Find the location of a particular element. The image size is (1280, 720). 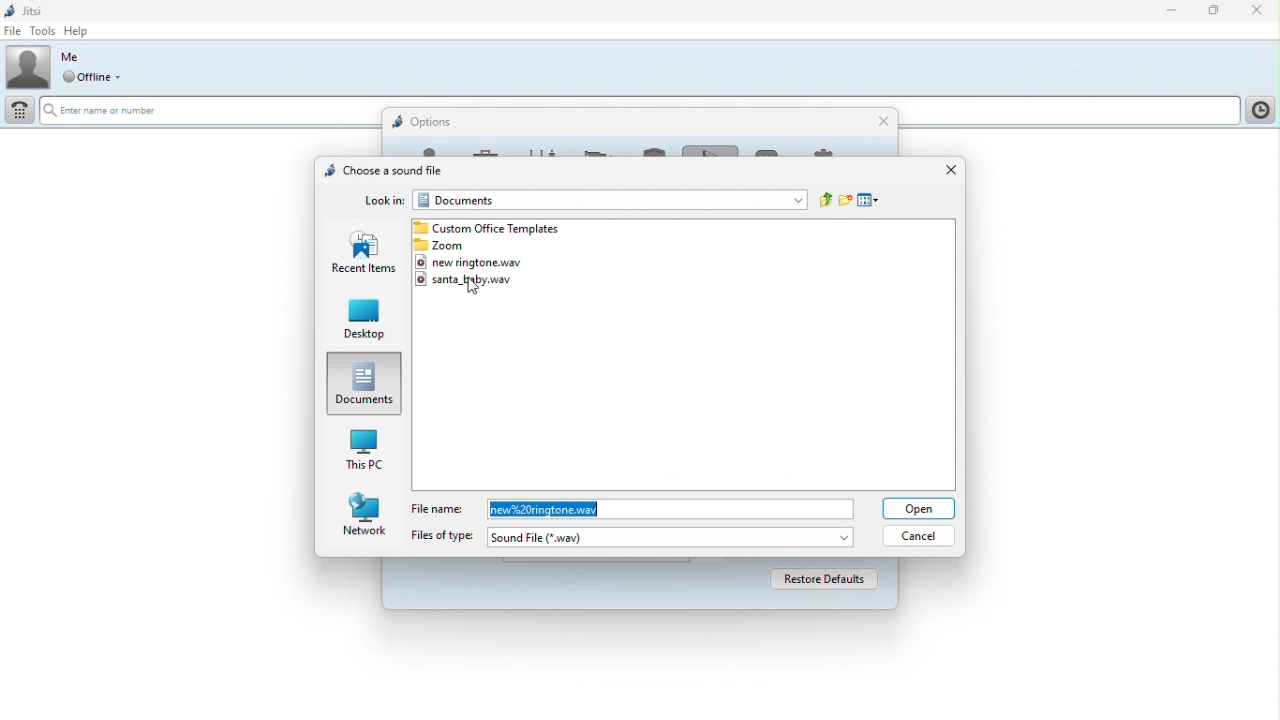

Close is located at coordinates (1257, 11).